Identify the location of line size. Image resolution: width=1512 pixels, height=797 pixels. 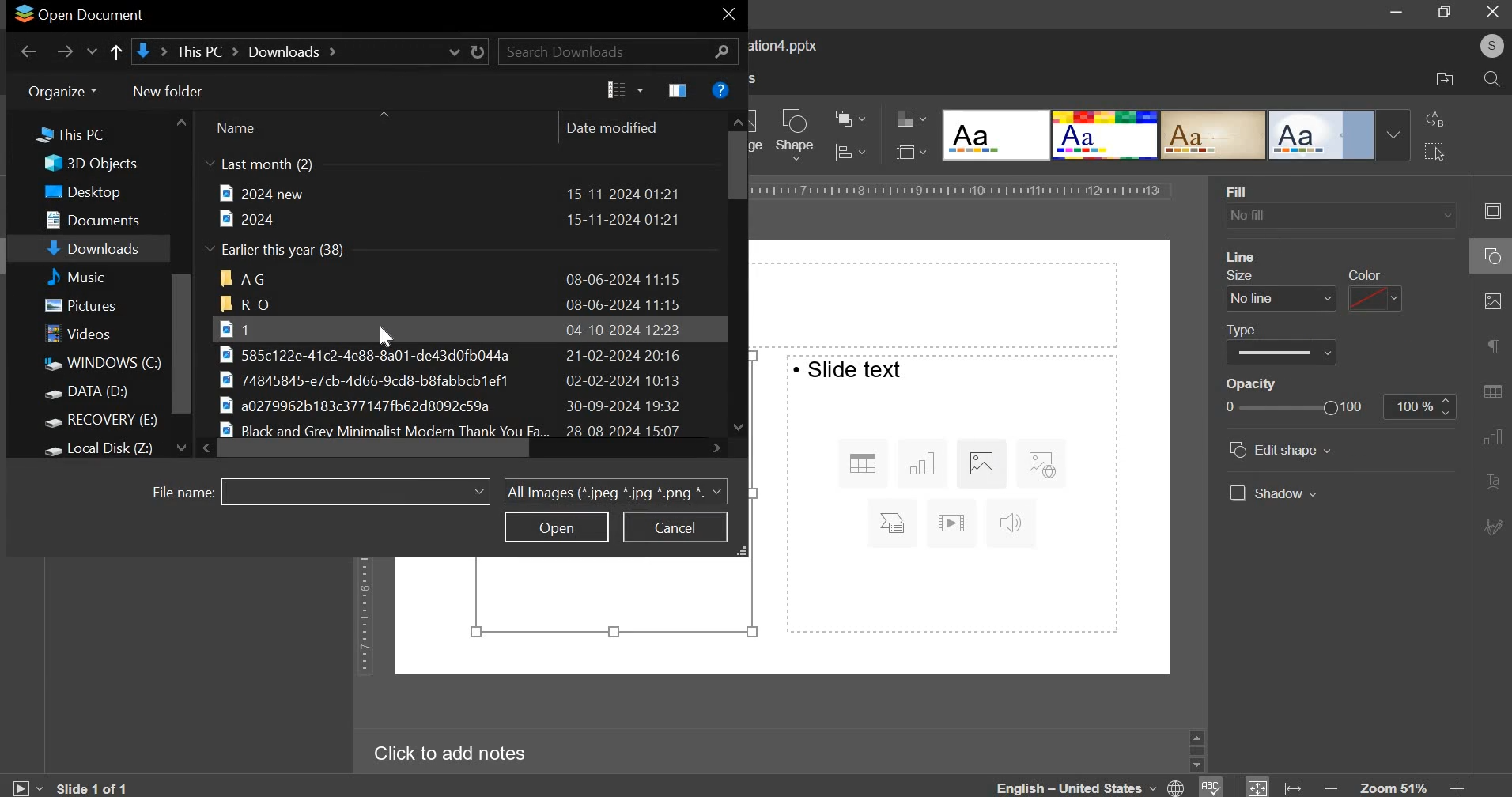
(1281, 298).